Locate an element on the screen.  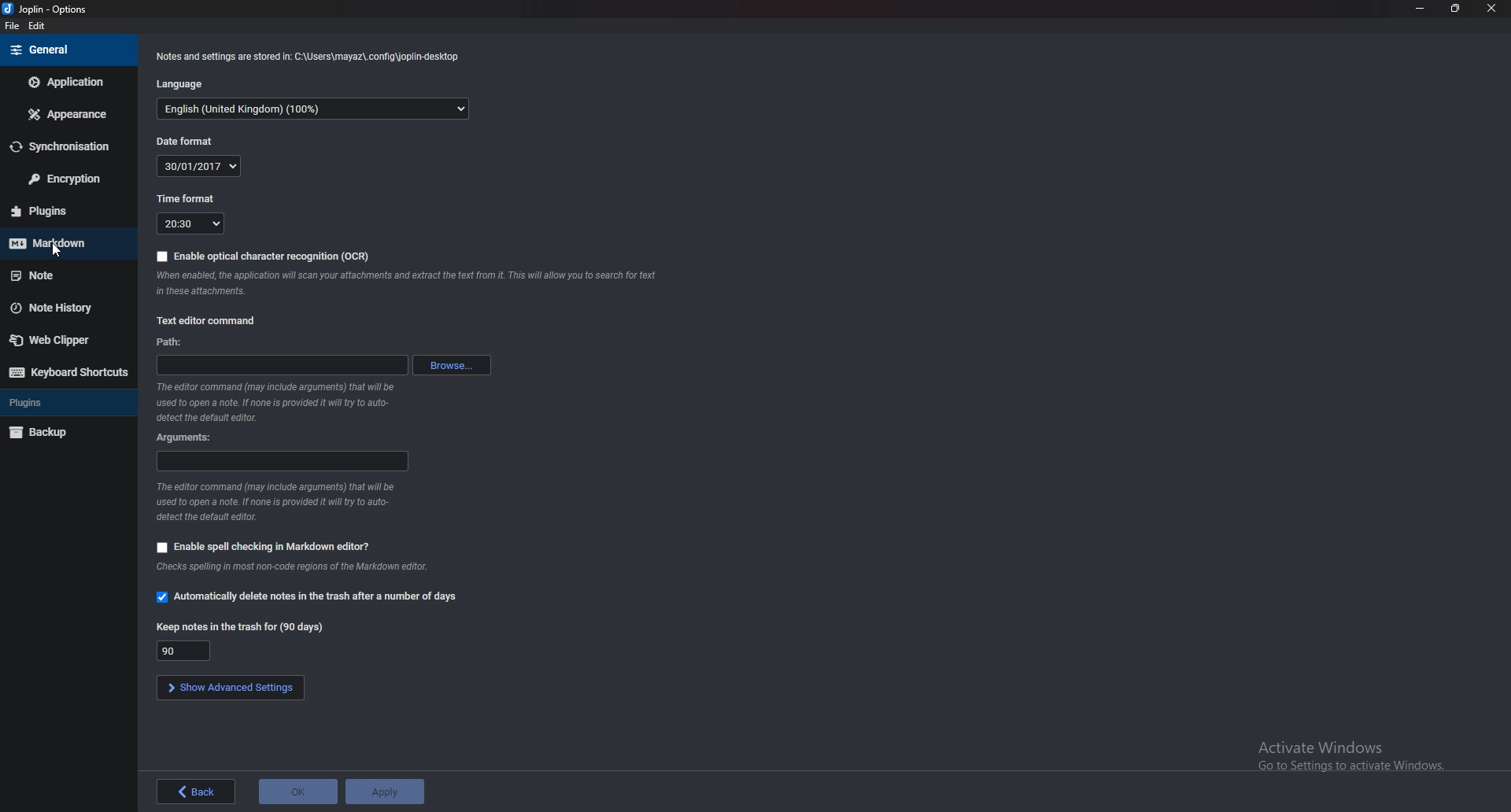
Pointer is located at coordinates (60, 251).